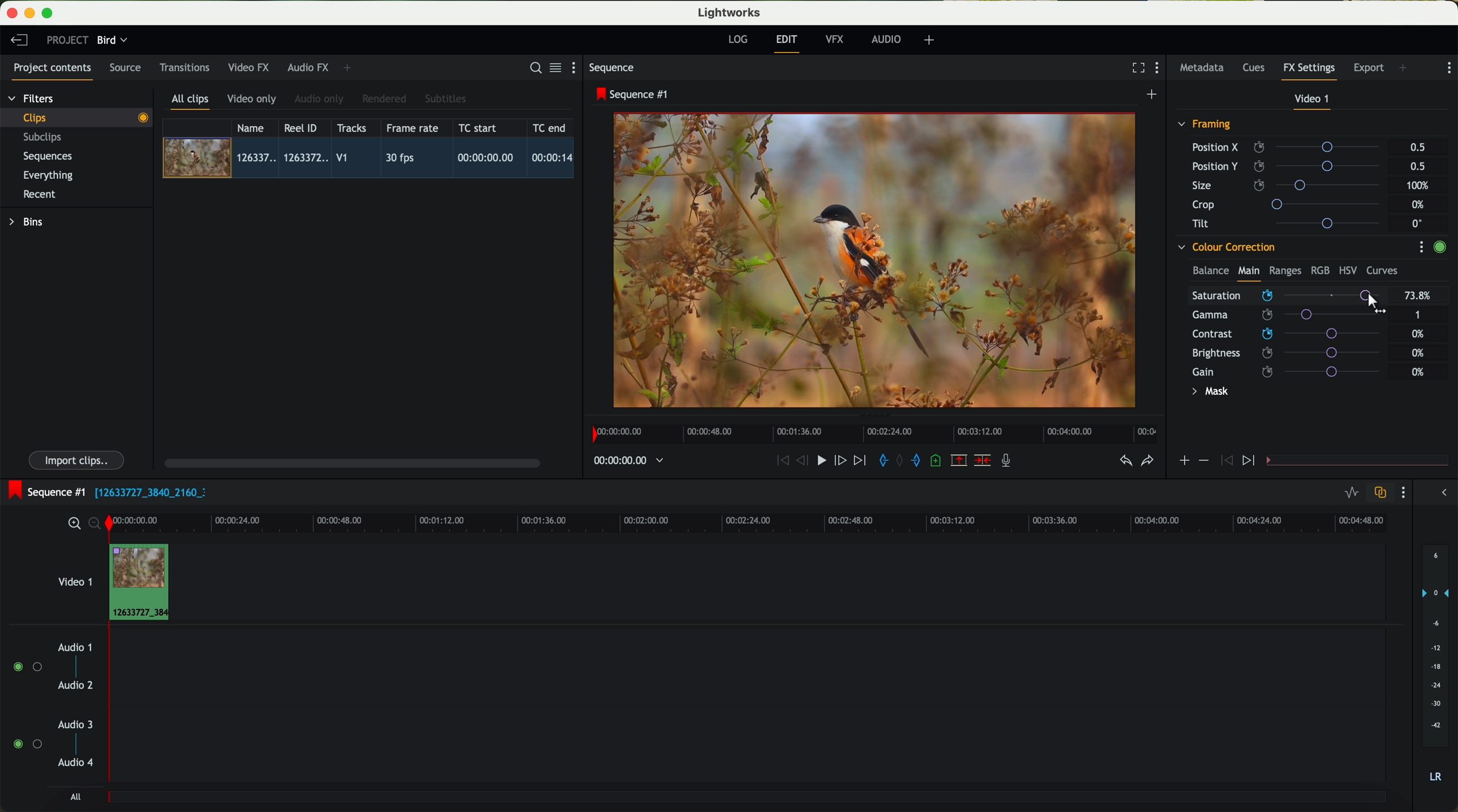 The width and height of the screenshot is (1458, 812). I want to click on curves, so click(1382, 271).